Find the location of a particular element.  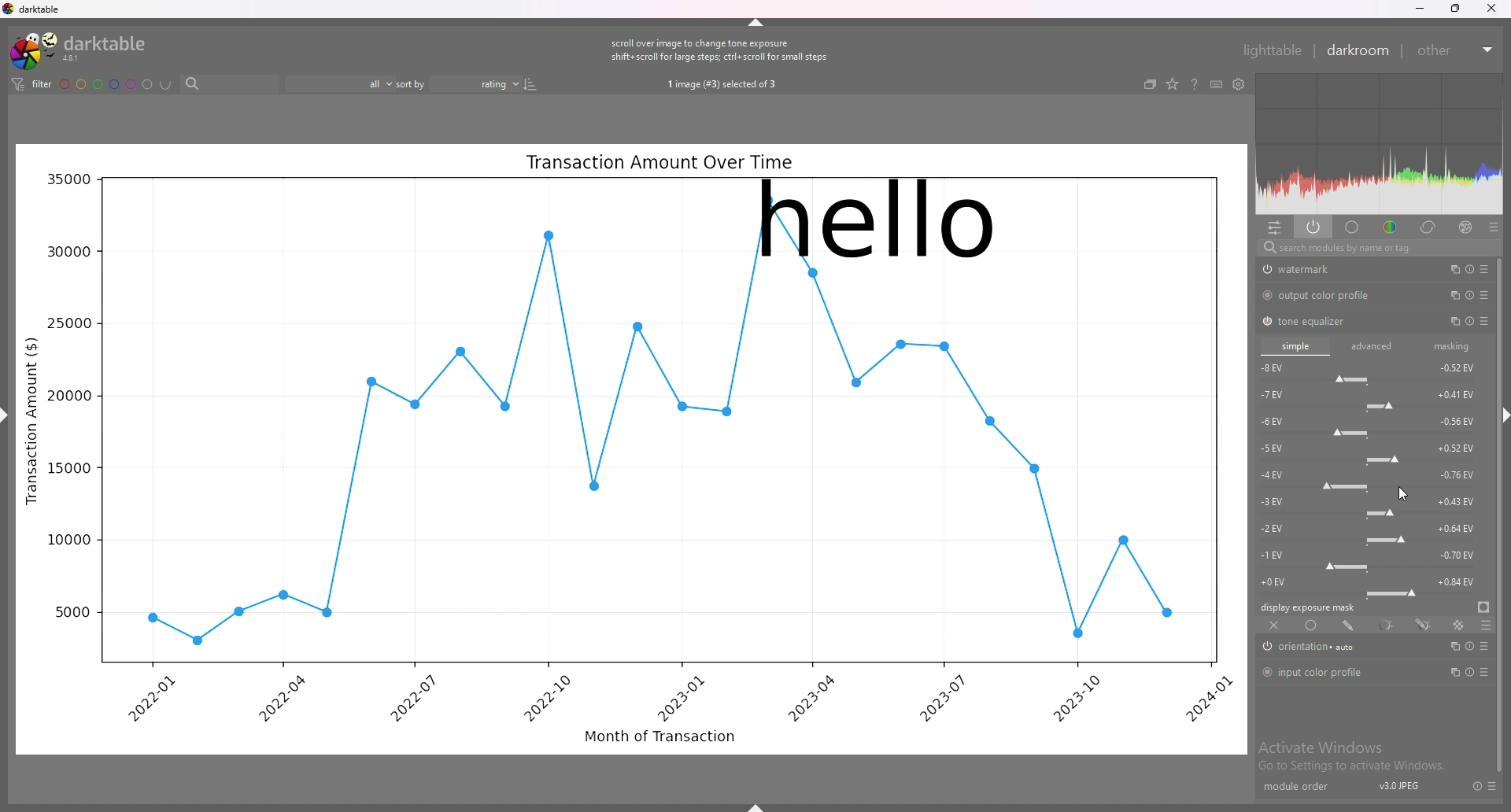

output color profile is located at coordinates (1329, 297).